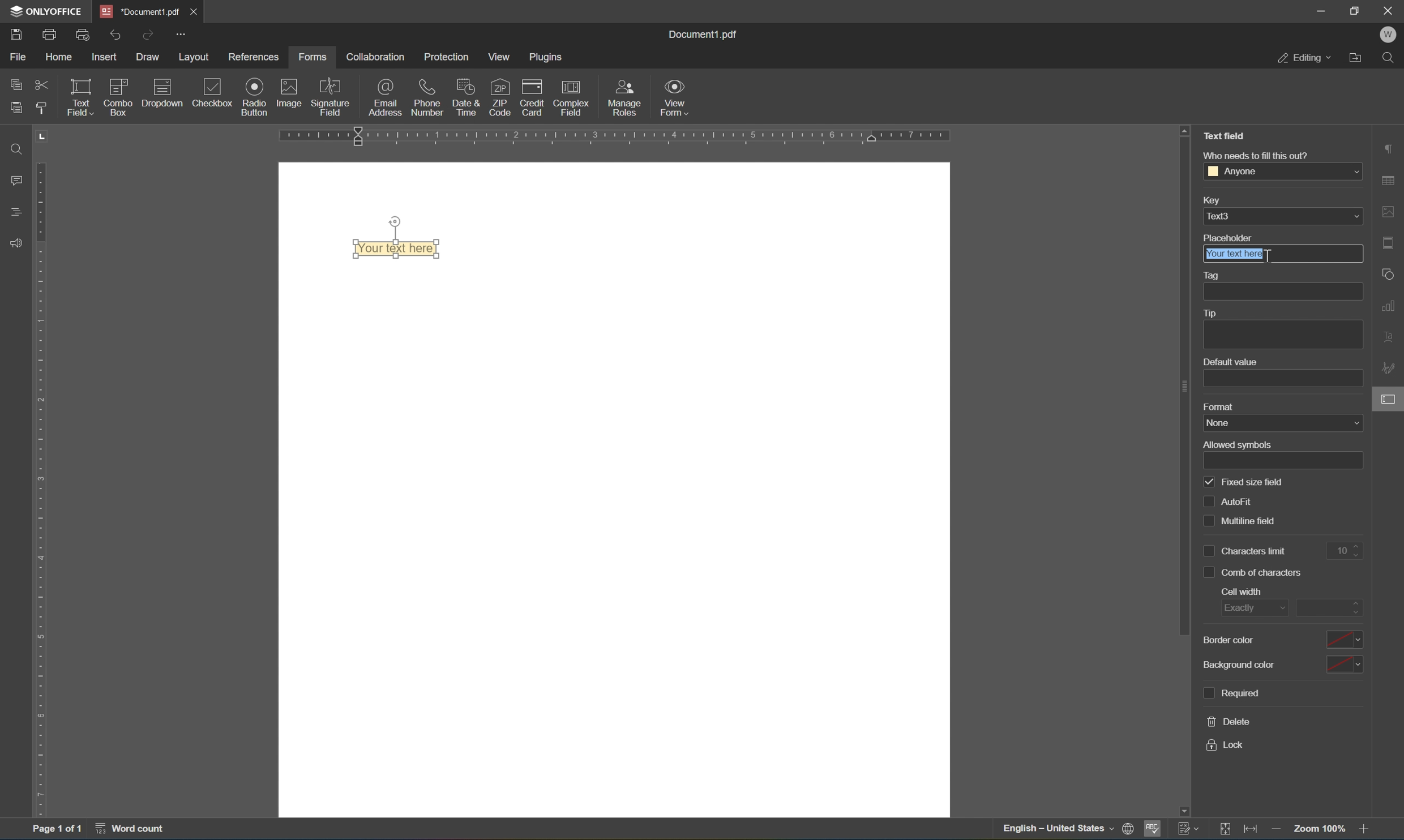  What do you see at coordinates (150, 54) in the screenshot?
I see `draw` at bounding box center [150, 54].